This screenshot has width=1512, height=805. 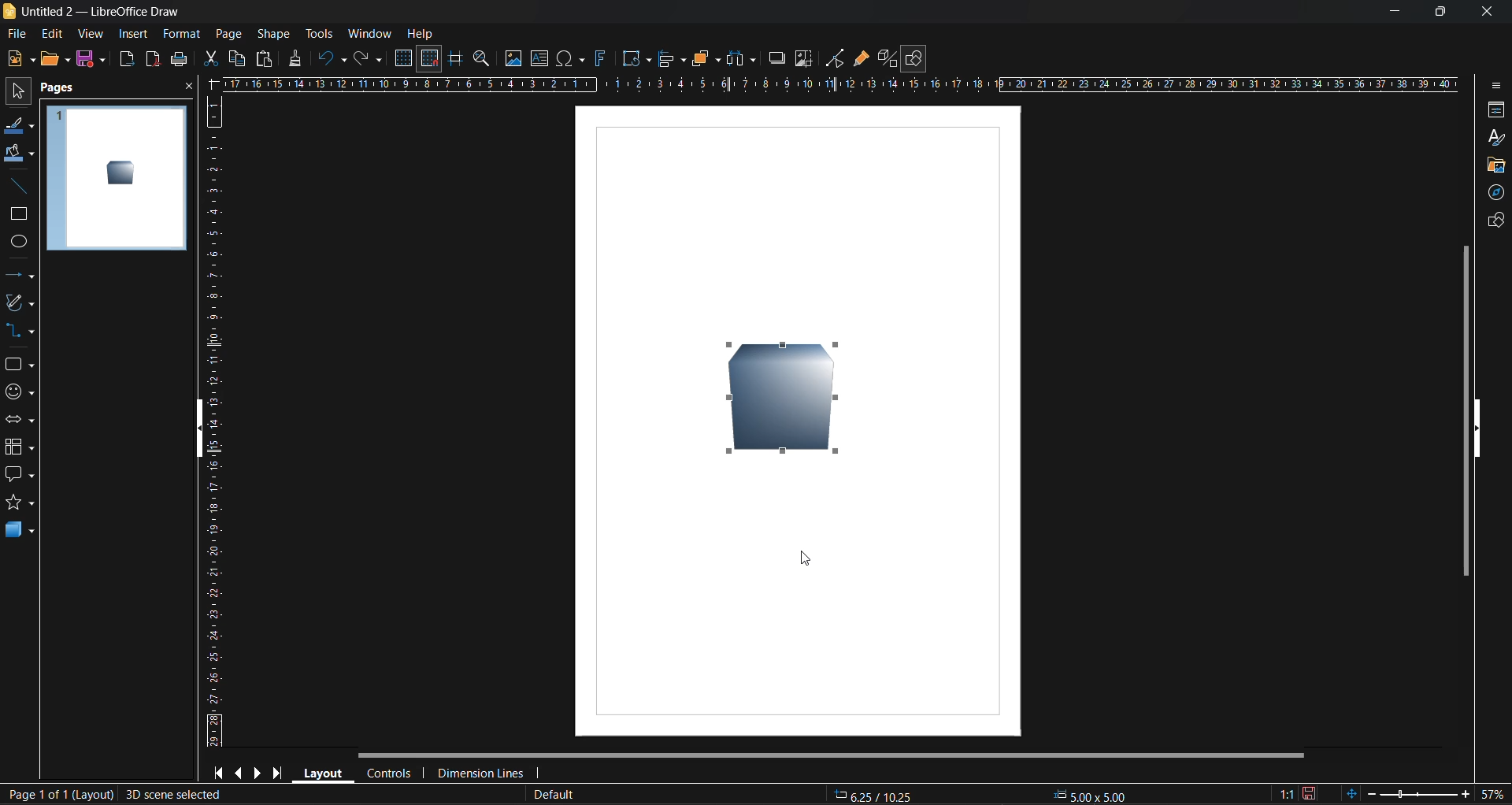 What do you see at coordinates (1418, 793) in the screenshot?
I see `zoom slider` at bounding box center [1418, 793].